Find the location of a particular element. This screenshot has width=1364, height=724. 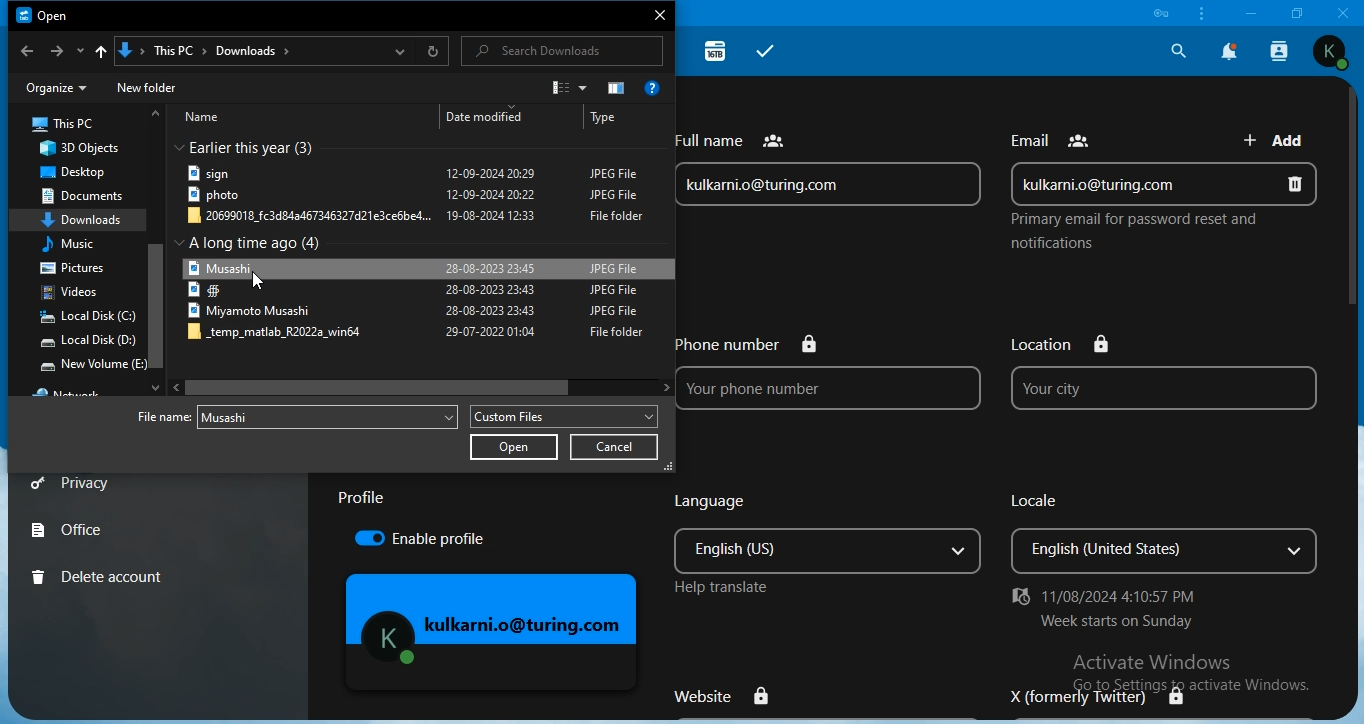

cancel is located at coordinates (614, 448).